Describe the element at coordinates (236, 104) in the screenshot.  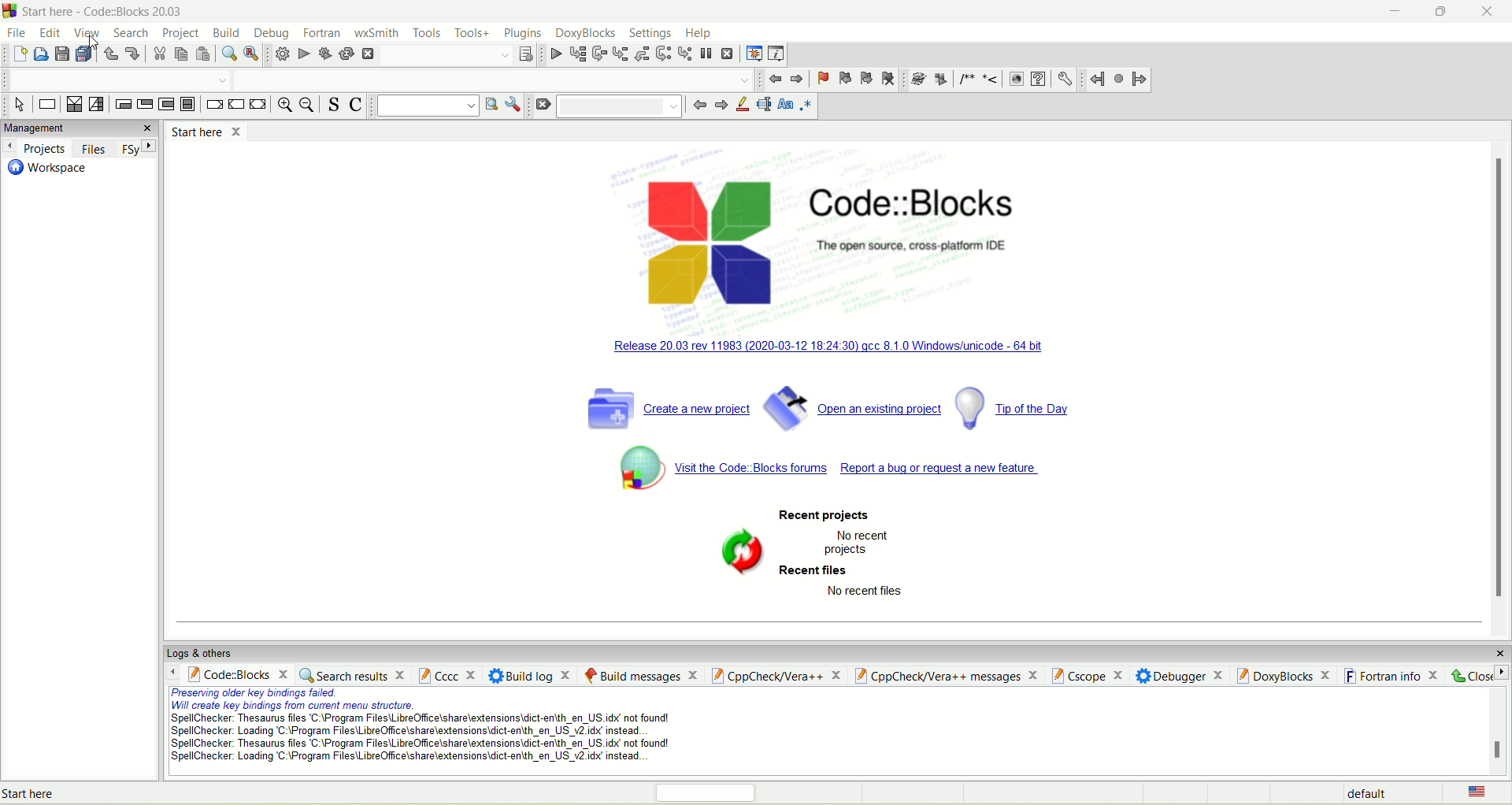
I see `continue instruction` at that location.